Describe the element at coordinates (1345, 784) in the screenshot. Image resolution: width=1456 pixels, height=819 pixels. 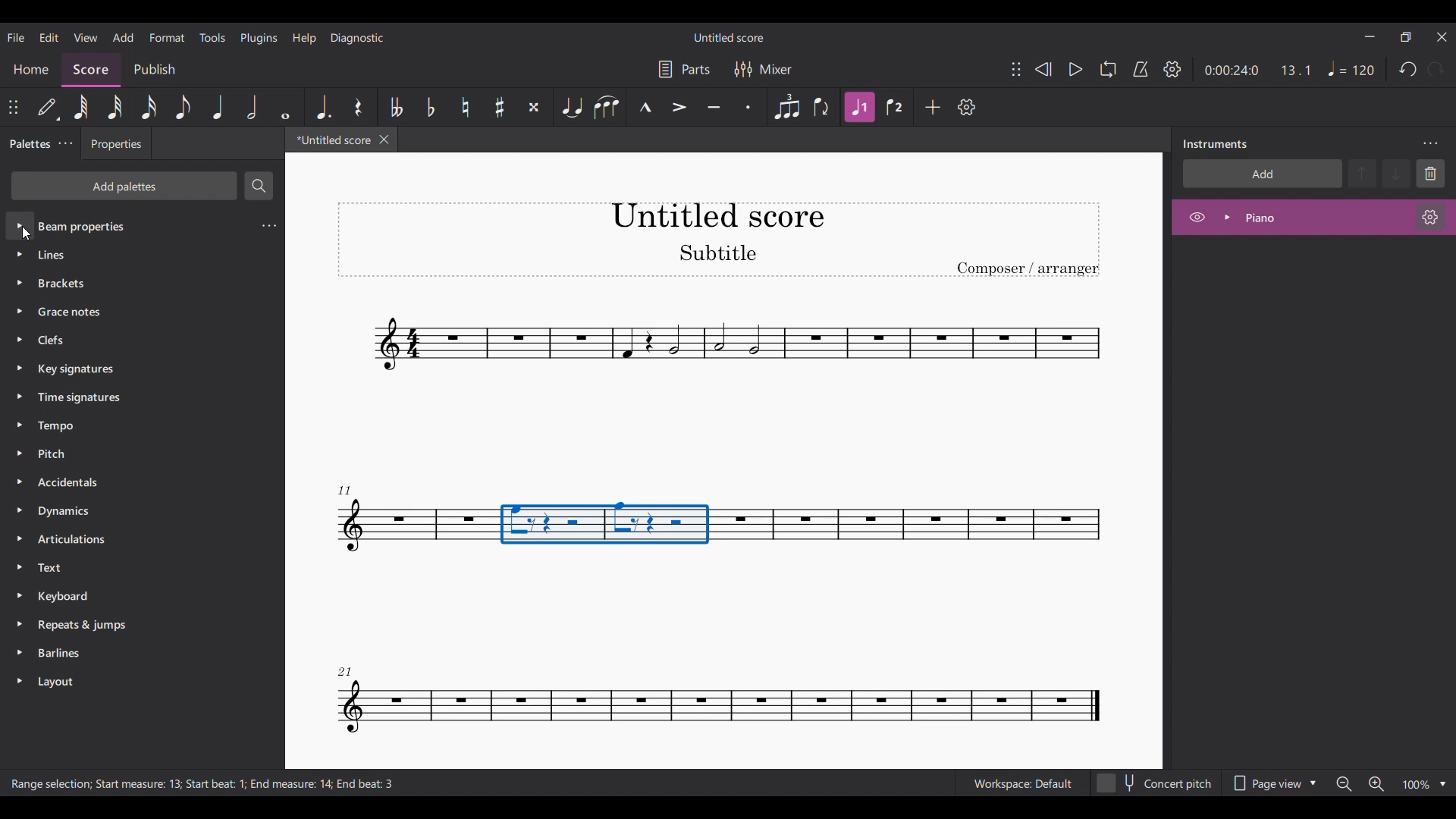
I see `Zoom out` at that location.